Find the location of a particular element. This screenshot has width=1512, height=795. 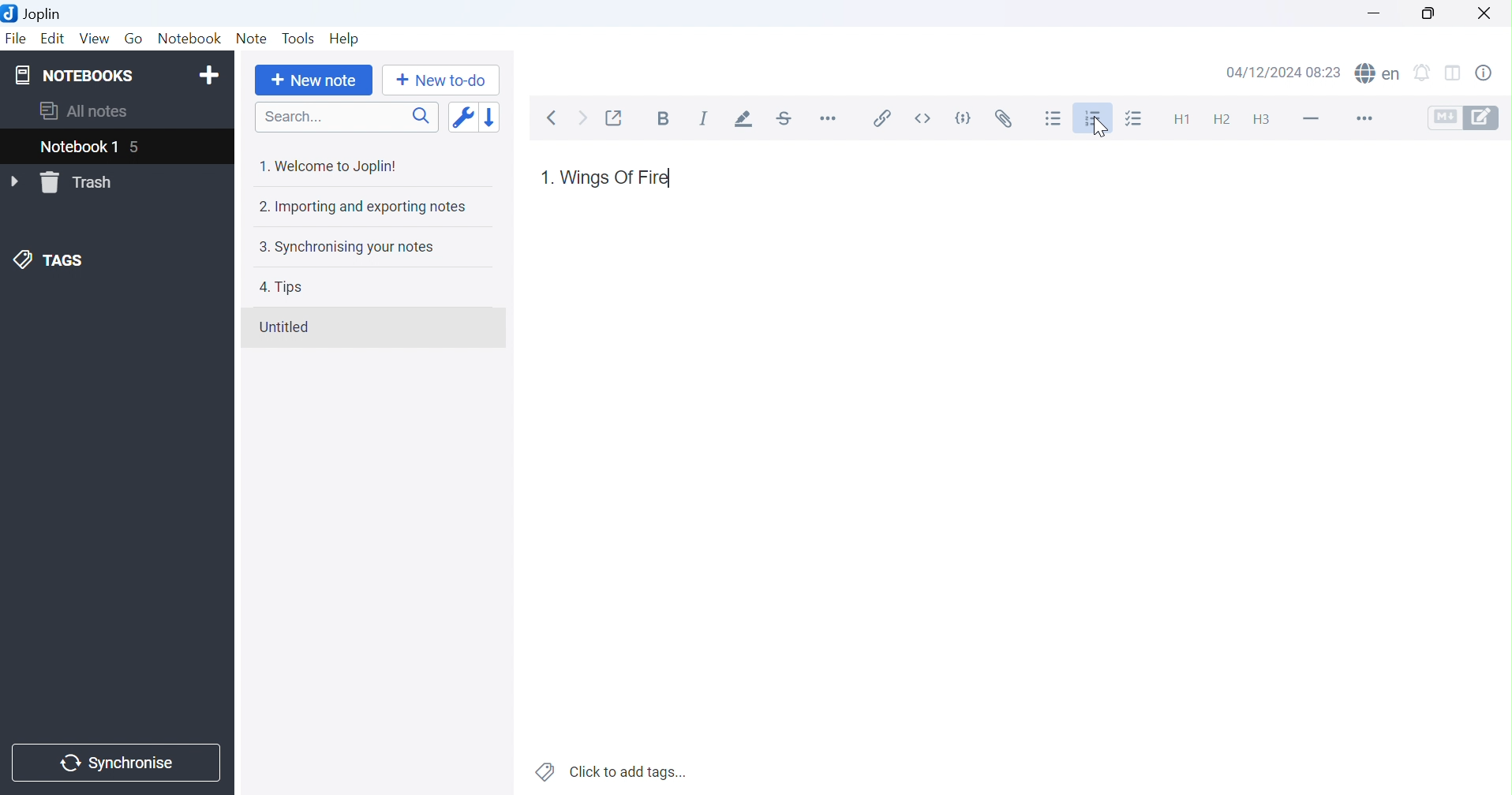

Edit is located at coordinates (54, 39).